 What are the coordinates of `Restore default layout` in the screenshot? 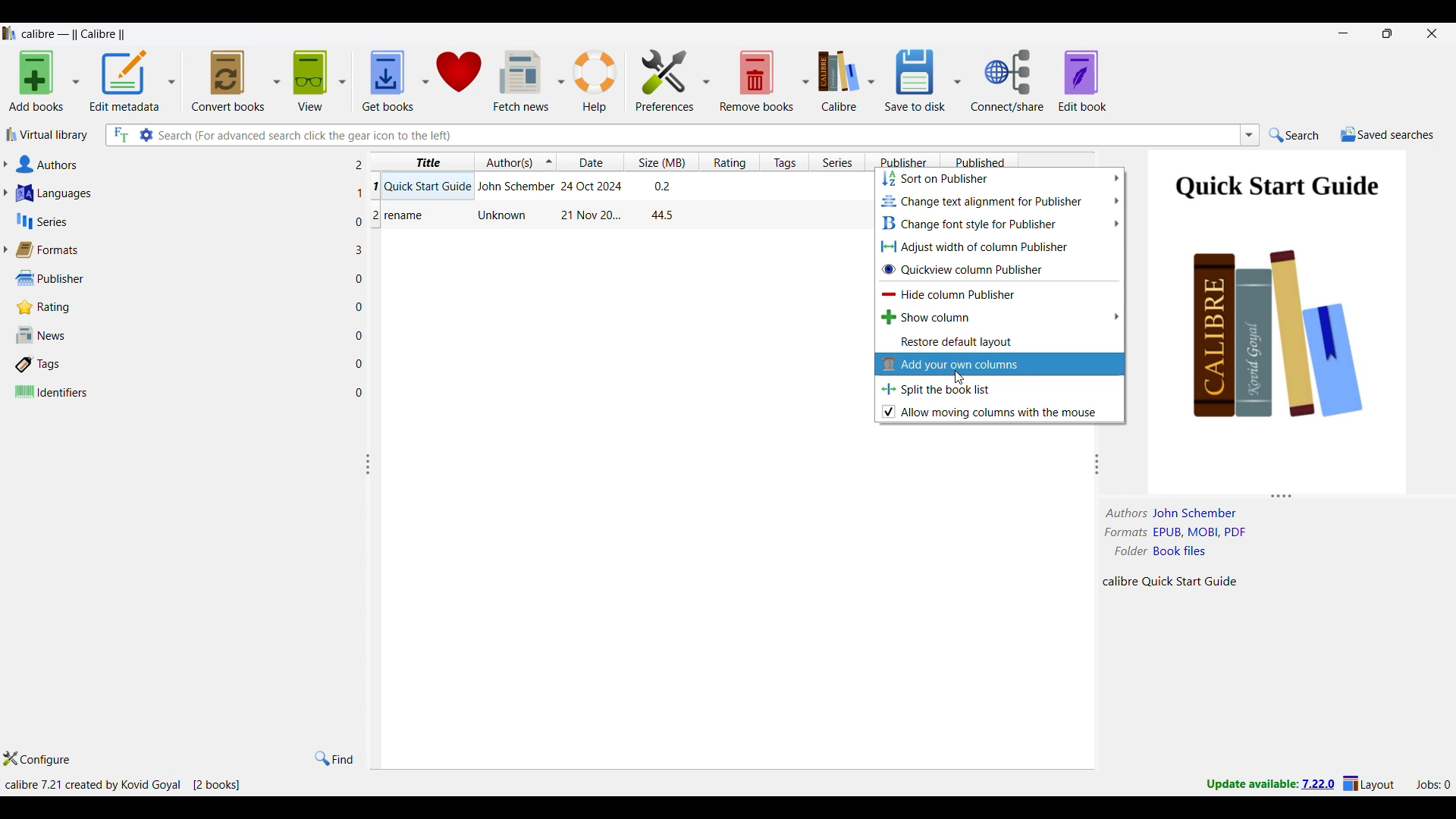 It's located at (999, 342).